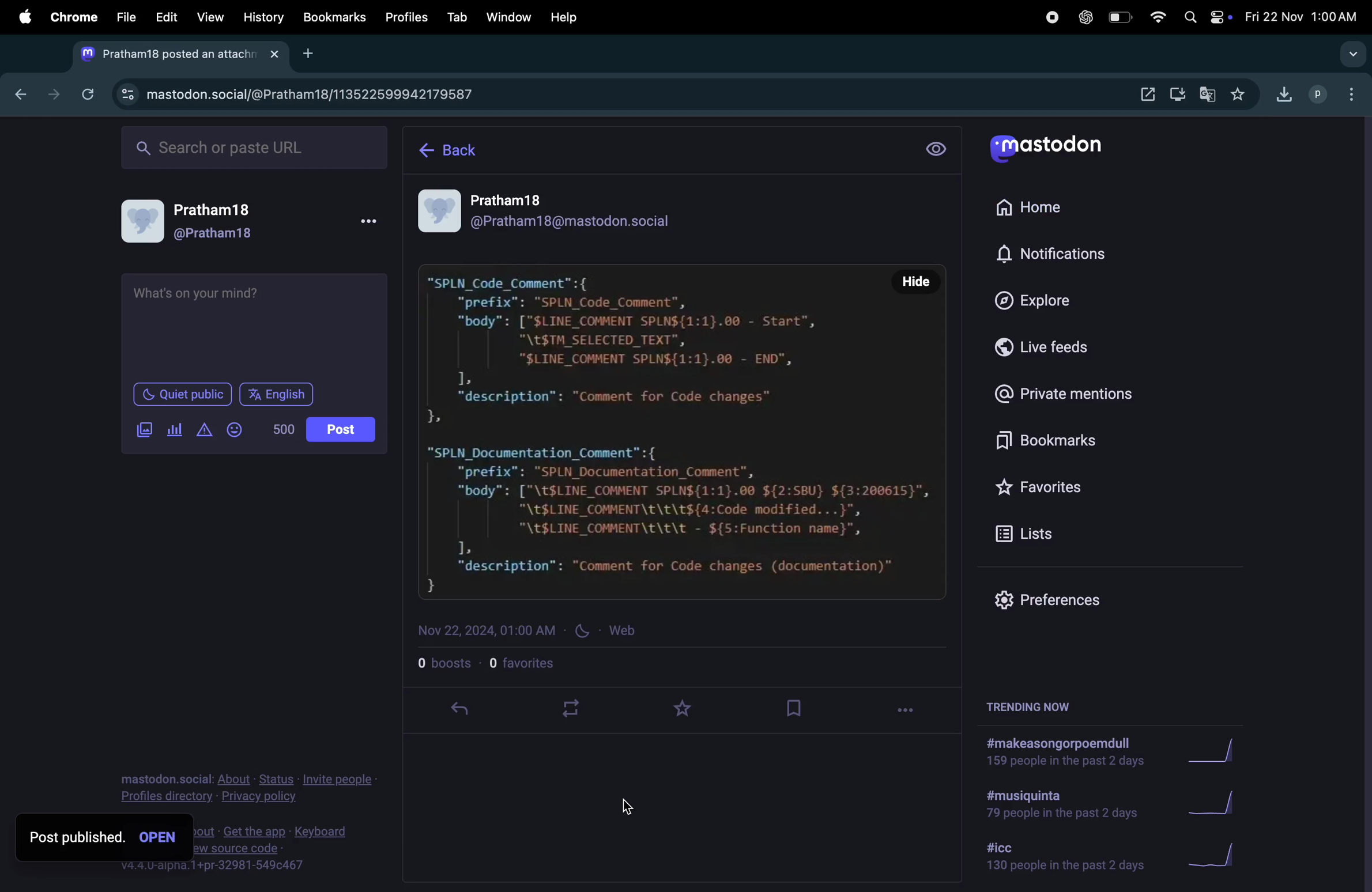  Describe the element at coordinates (1220, 17) in the screenshot. I see `apple widgets` at that location.